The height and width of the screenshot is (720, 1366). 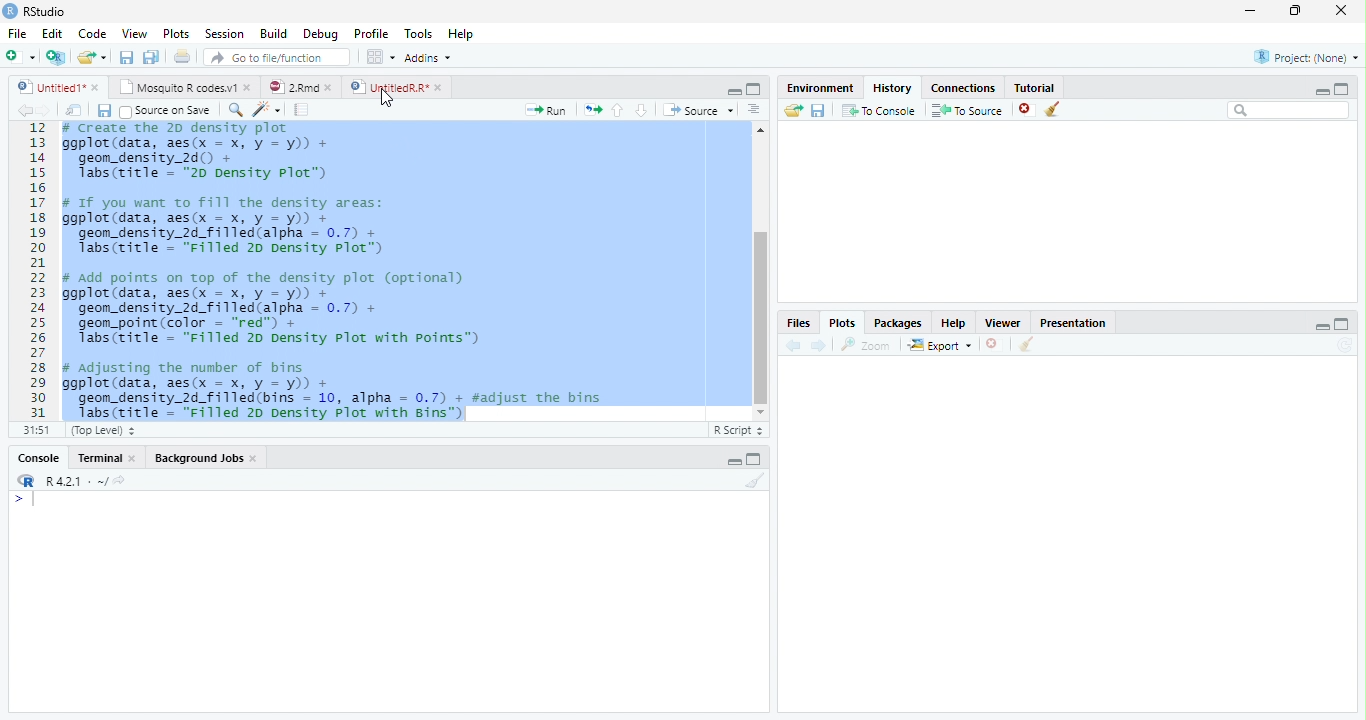 I want to click on Terminal, so click(x=99, y=458).